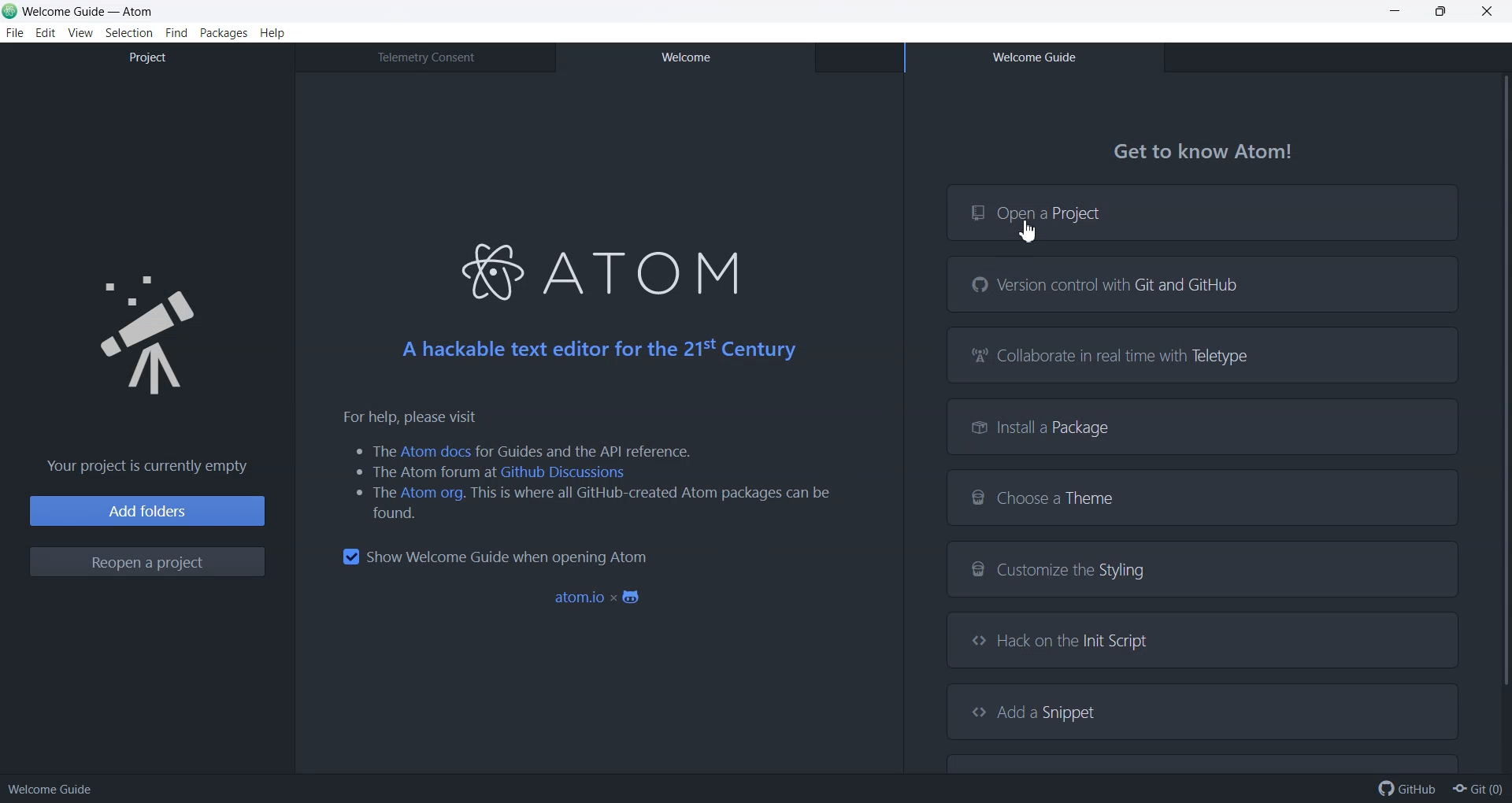 The width and height of the screenshot is (1512, 803). Describe the element at coordinates (148, 328) in the screenshot. I see `Logo` at that location.